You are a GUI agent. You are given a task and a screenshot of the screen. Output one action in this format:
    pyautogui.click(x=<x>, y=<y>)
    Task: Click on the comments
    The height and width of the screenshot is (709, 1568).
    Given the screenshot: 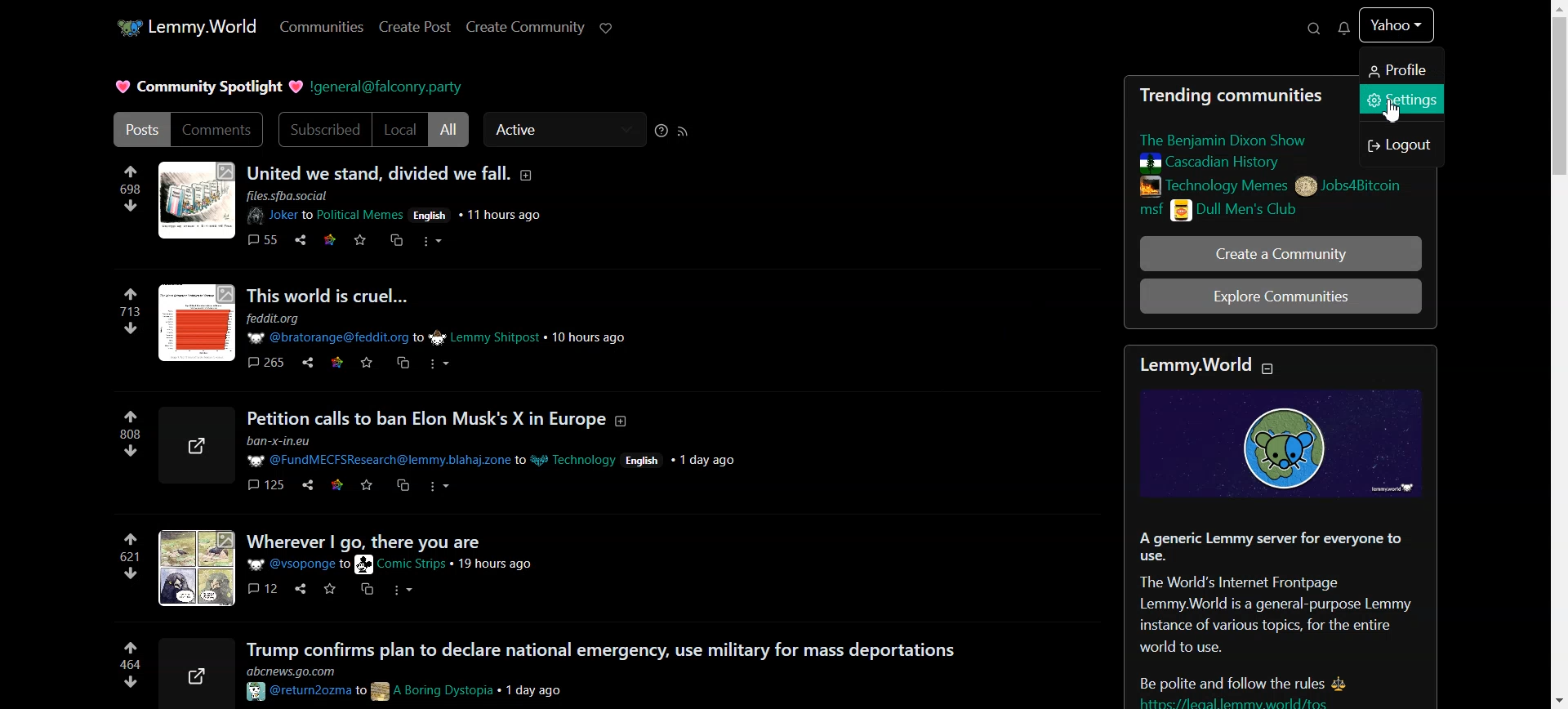 What is the action you would take?
    pyautogui.click(x=262, y=592)
    